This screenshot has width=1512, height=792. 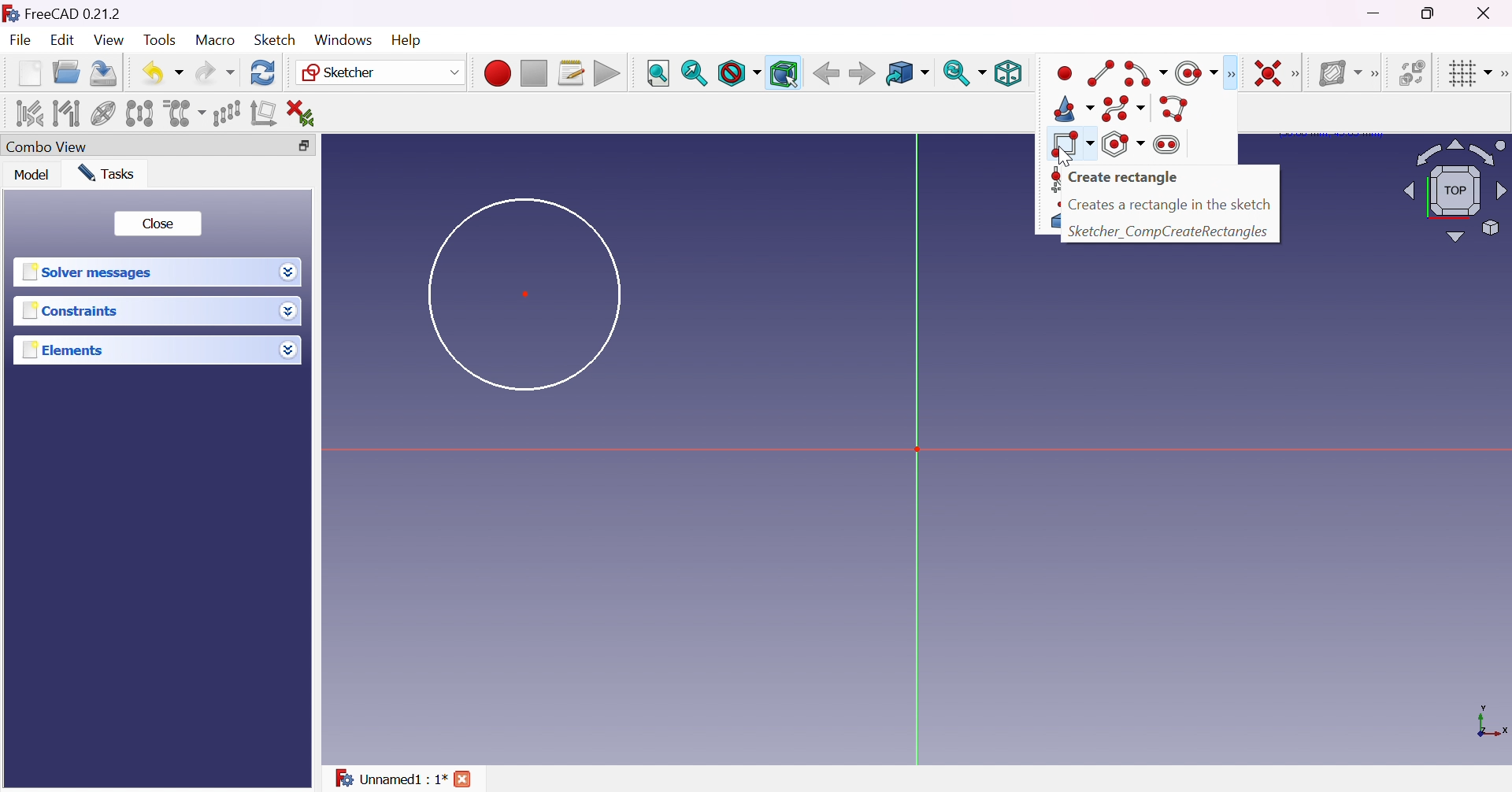 What do you see at coordinates (1452, 192) in the screenshot?
I see `Viewing angle` at bounding box center [1452, 192].